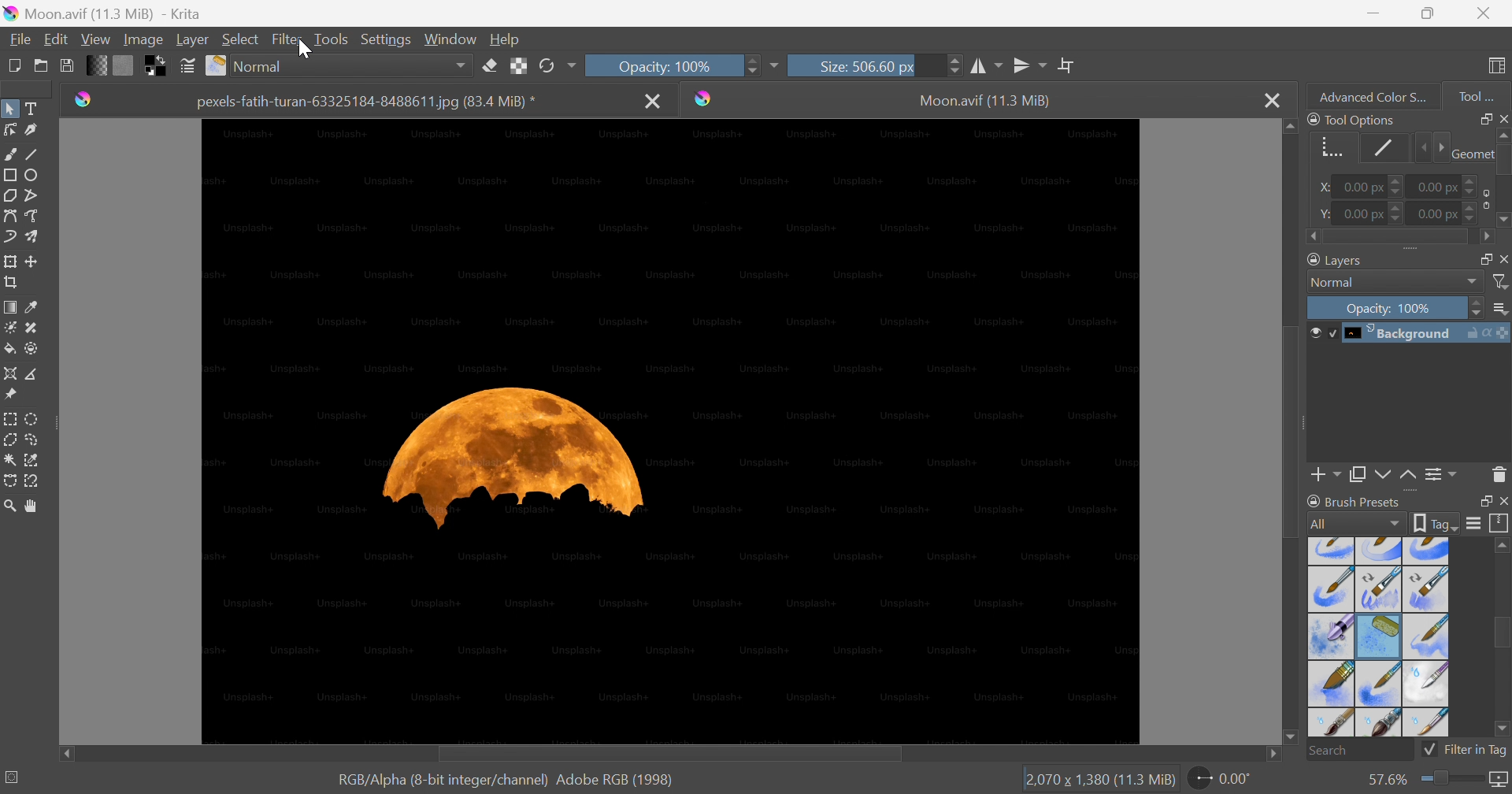 The width and height of the screenshot is (1512, 794). I want to click on Patch tool, so click(31, 328).